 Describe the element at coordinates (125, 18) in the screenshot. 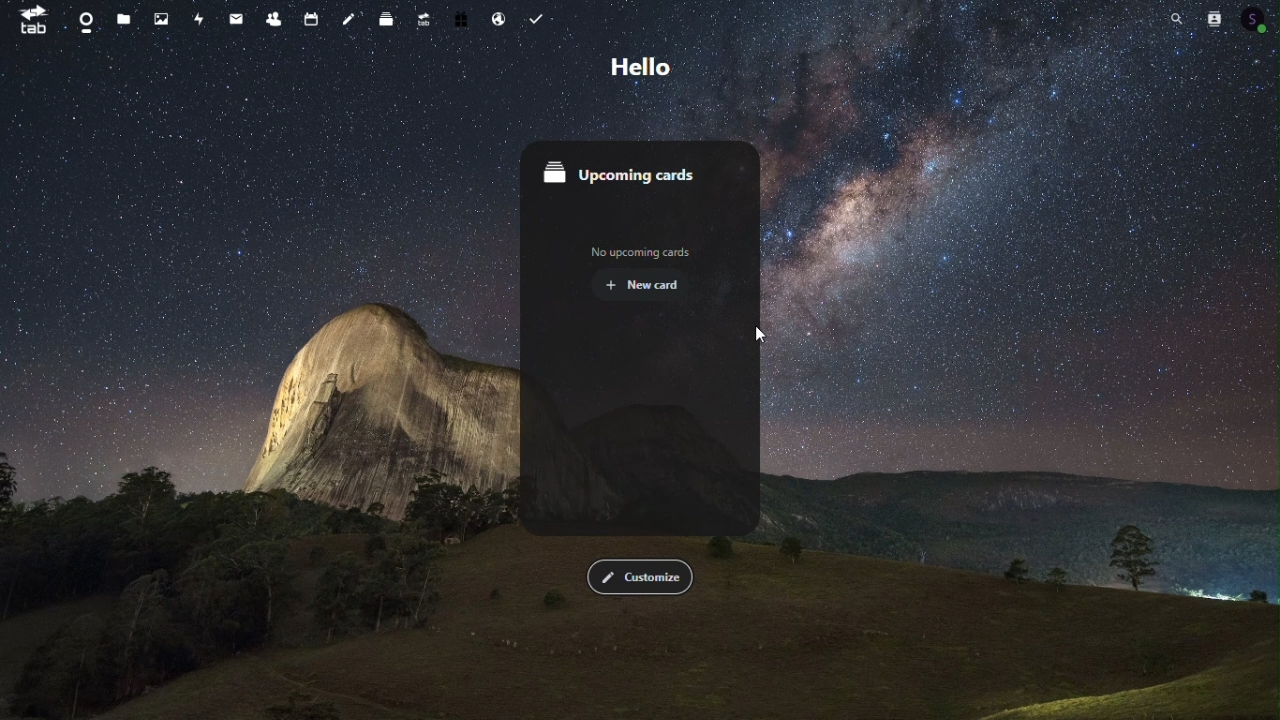

I see `Files` at that location.